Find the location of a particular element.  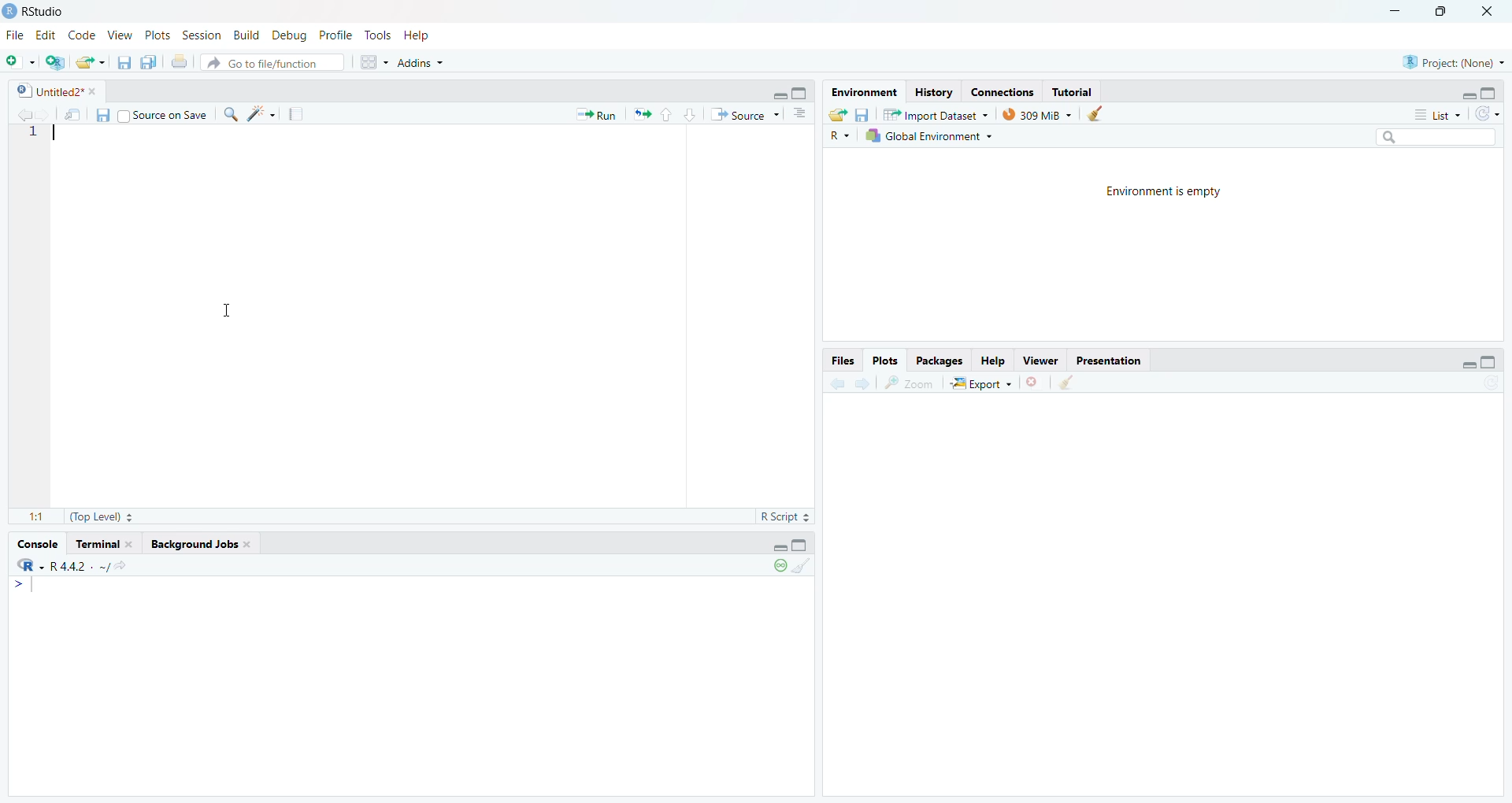

clear is located at coordinates (805, 568).